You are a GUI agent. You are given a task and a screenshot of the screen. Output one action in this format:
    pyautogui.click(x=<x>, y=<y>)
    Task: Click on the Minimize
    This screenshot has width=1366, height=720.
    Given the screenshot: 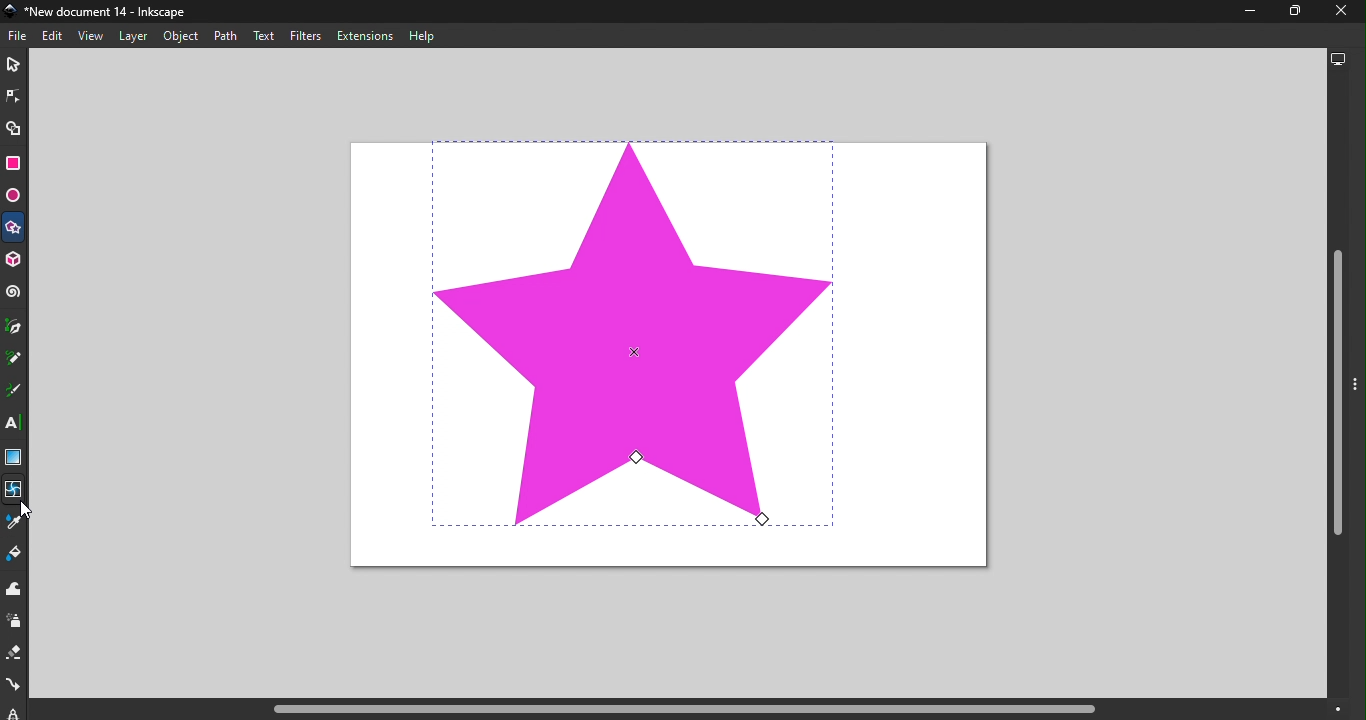 What is the action you would take?
    pyautogui.click(x=1245, y=15)
    